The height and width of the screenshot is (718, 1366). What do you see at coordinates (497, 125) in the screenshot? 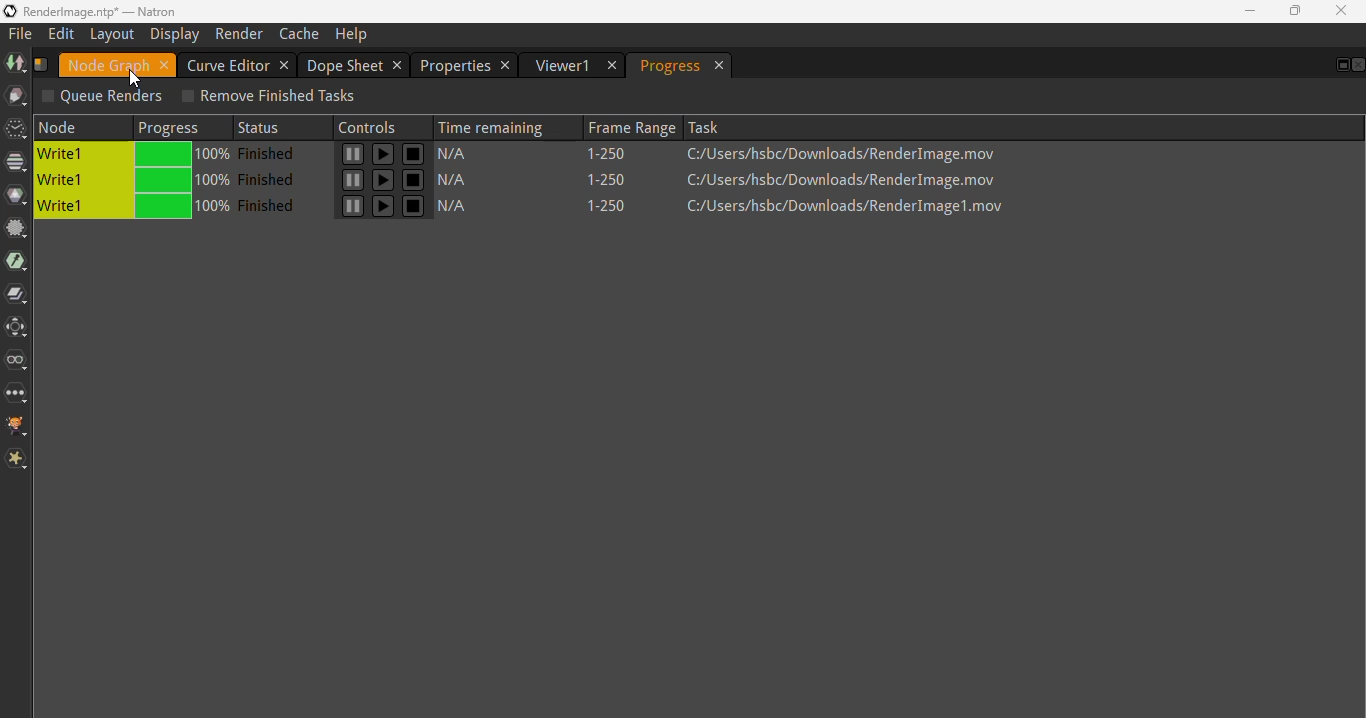
I see `time remaining` at bounding box center [497, 125].